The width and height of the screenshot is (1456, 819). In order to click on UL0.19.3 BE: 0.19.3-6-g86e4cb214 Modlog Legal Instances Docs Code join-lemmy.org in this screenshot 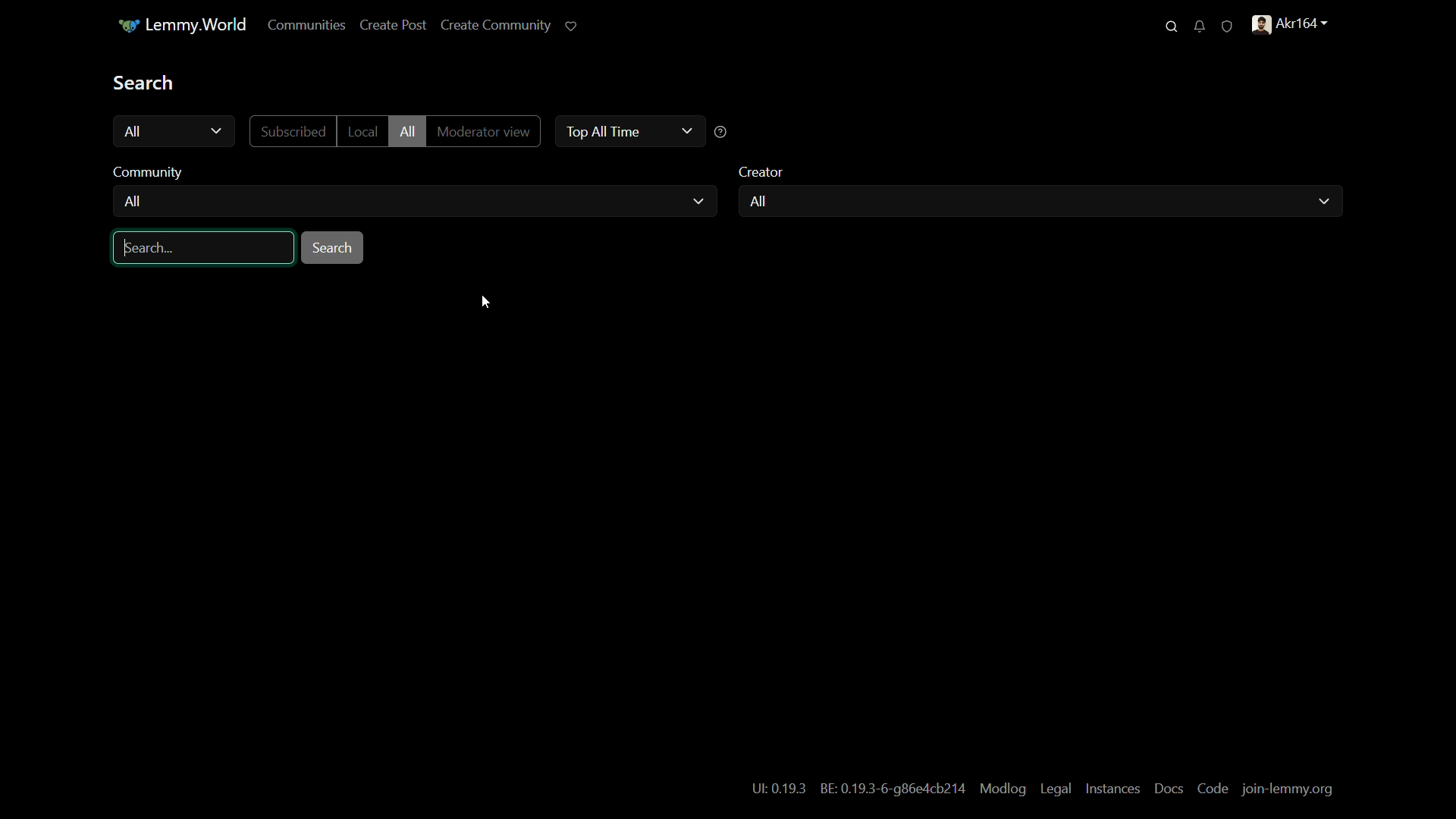, I will do `click(1040, 787)`.